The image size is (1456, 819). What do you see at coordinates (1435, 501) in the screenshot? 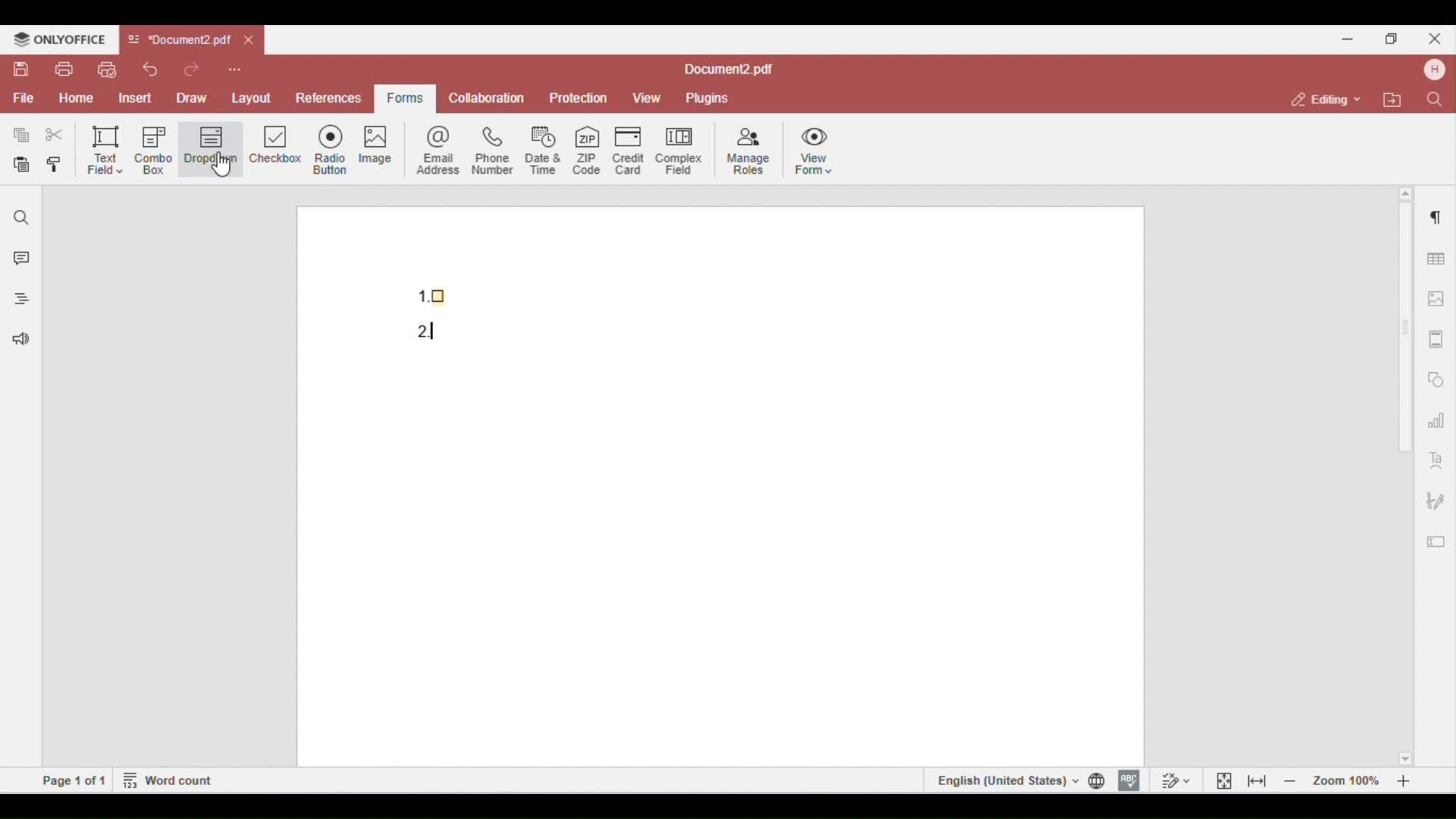
I see `signature settings` at bounding box center [1435, 501].